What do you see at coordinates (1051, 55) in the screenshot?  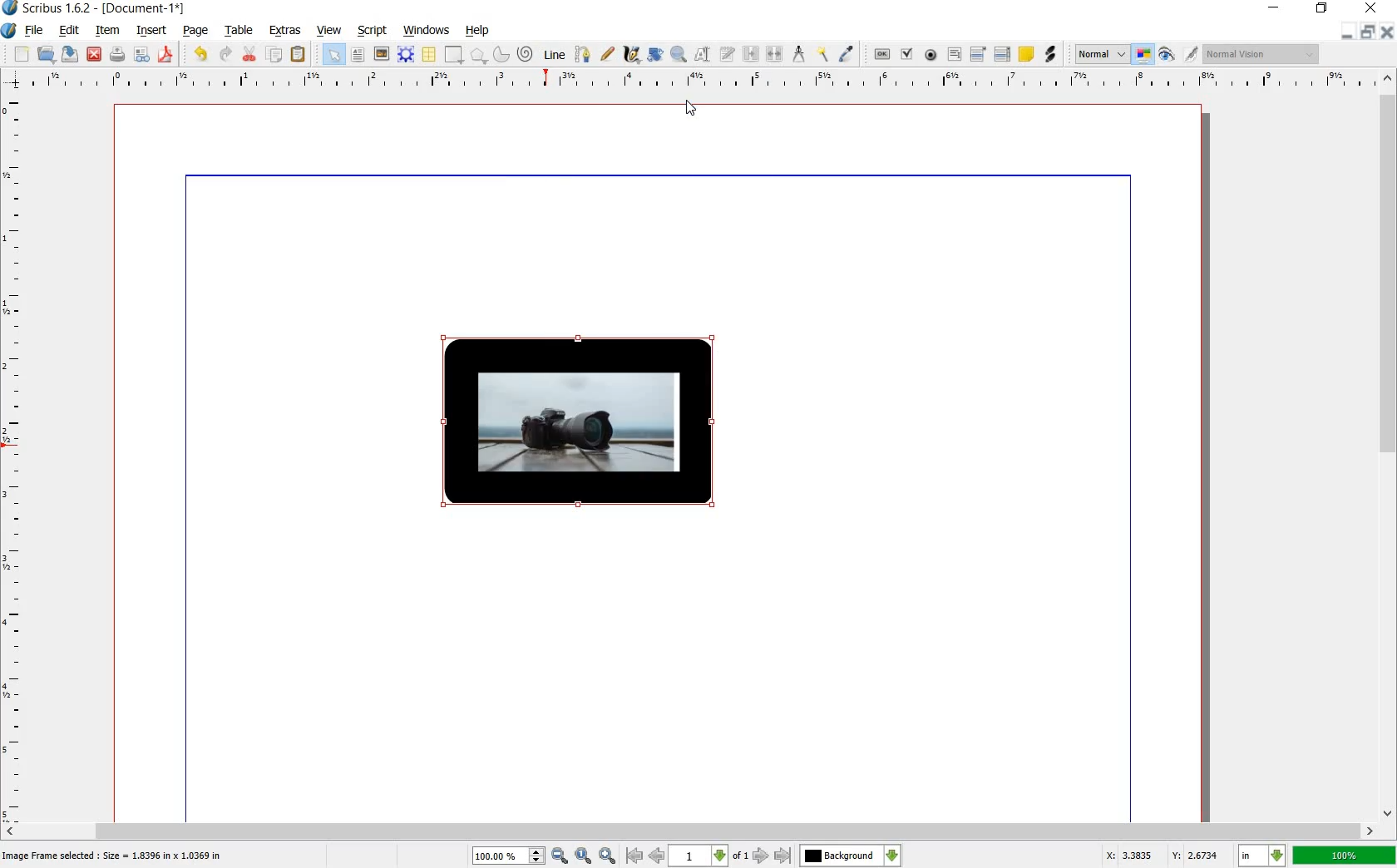 I see `link annotation` at bounding box center [1051, 55].